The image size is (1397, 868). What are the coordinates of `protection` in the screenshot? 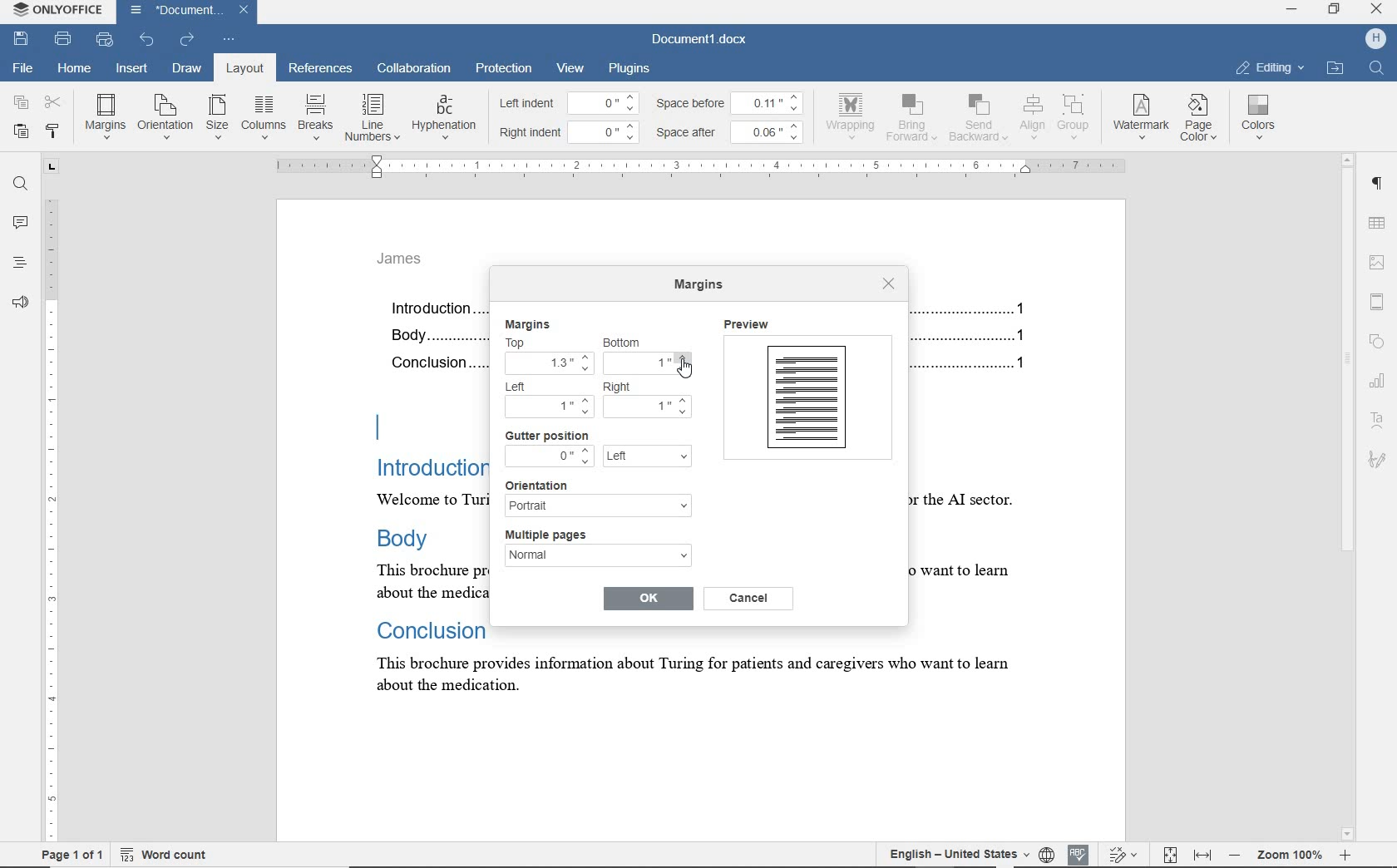 It's located at (503, 67).